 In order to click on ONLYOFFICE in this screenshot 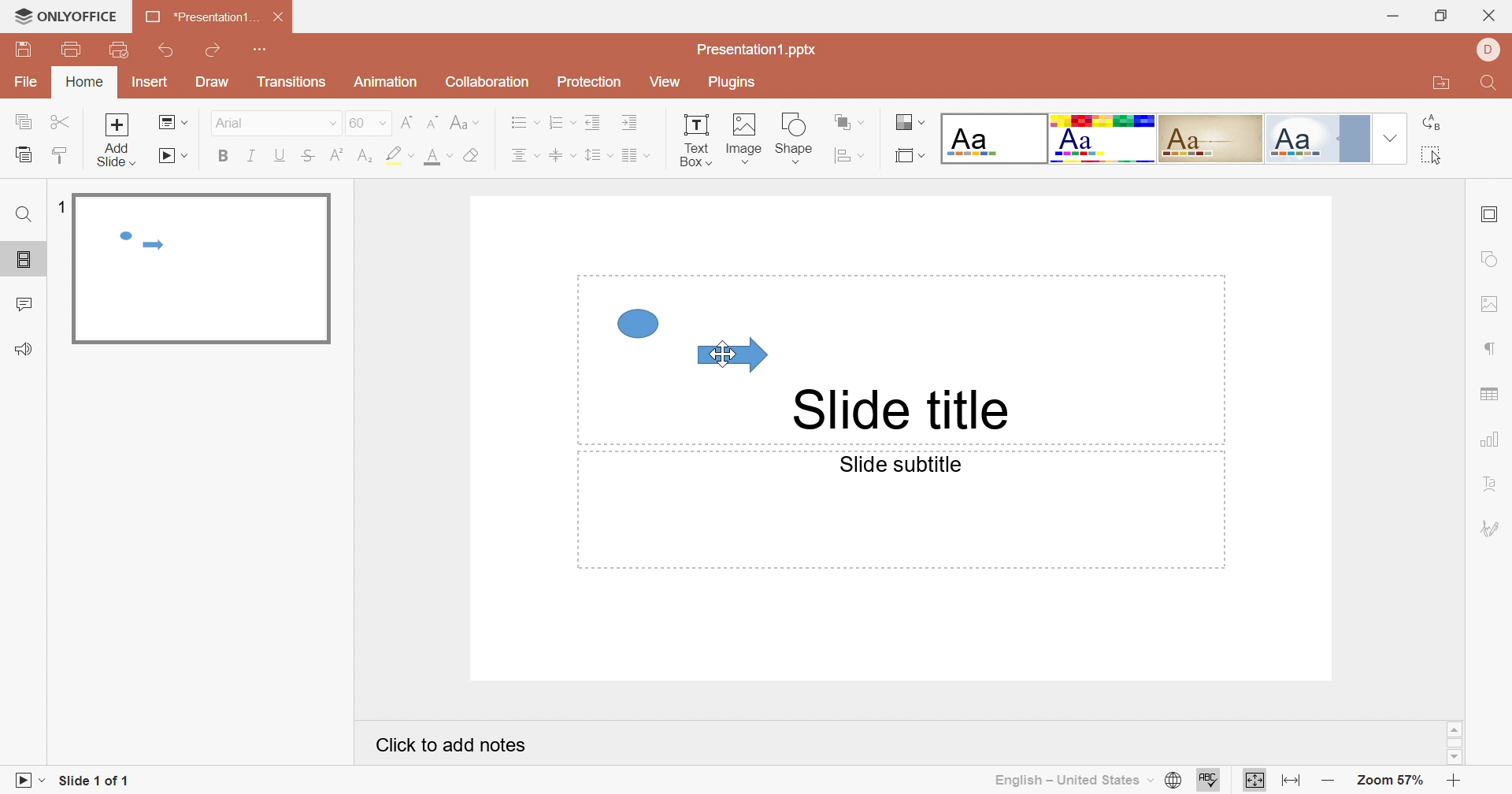, I will do `click(64, 16)`.